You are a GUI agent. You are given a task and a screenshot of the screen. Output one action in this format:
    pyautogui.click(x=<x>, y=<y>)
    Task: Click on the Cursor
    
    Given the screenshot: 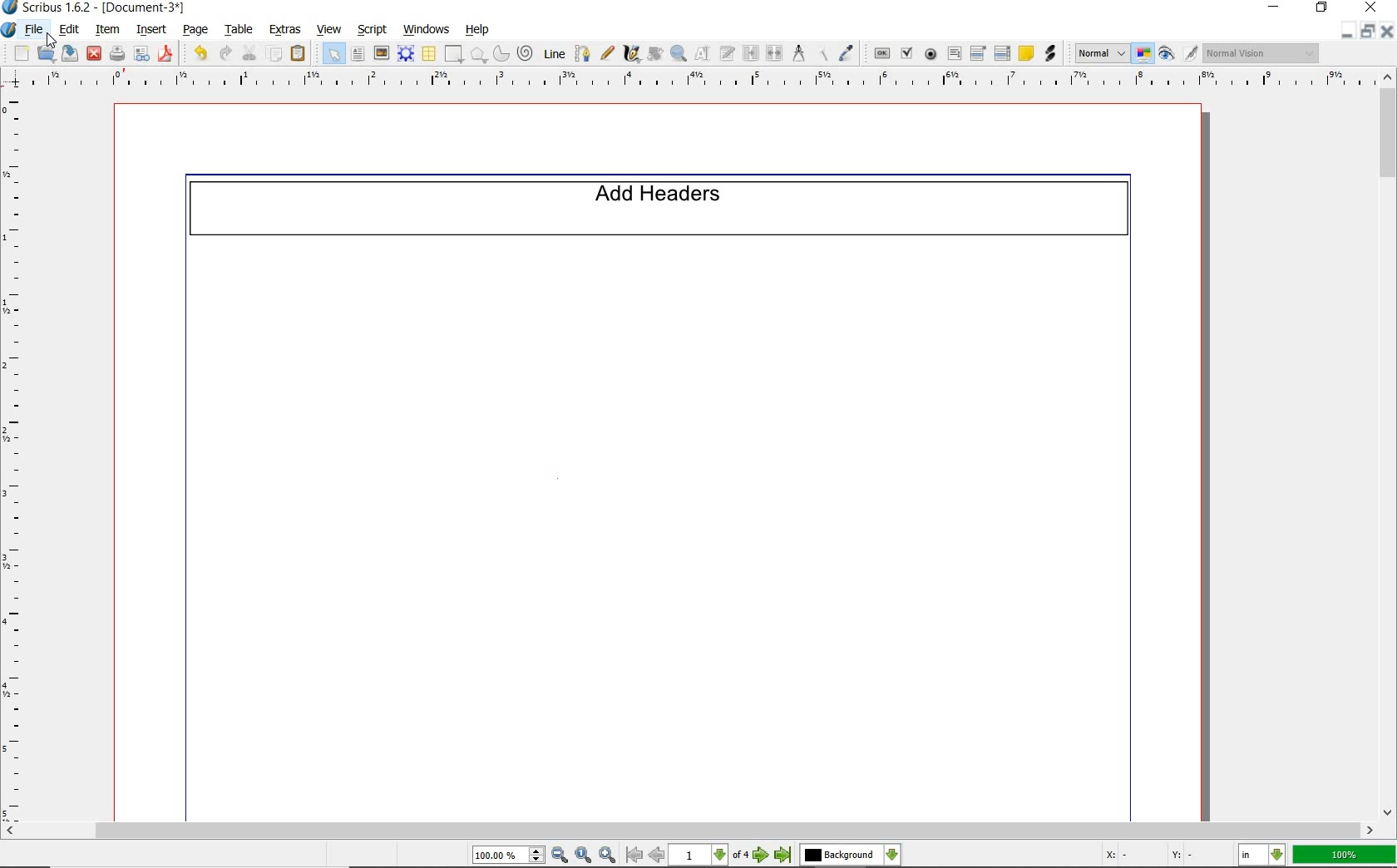 What is the action you would take?
    pyautogui.click(x=52, y=40)
    